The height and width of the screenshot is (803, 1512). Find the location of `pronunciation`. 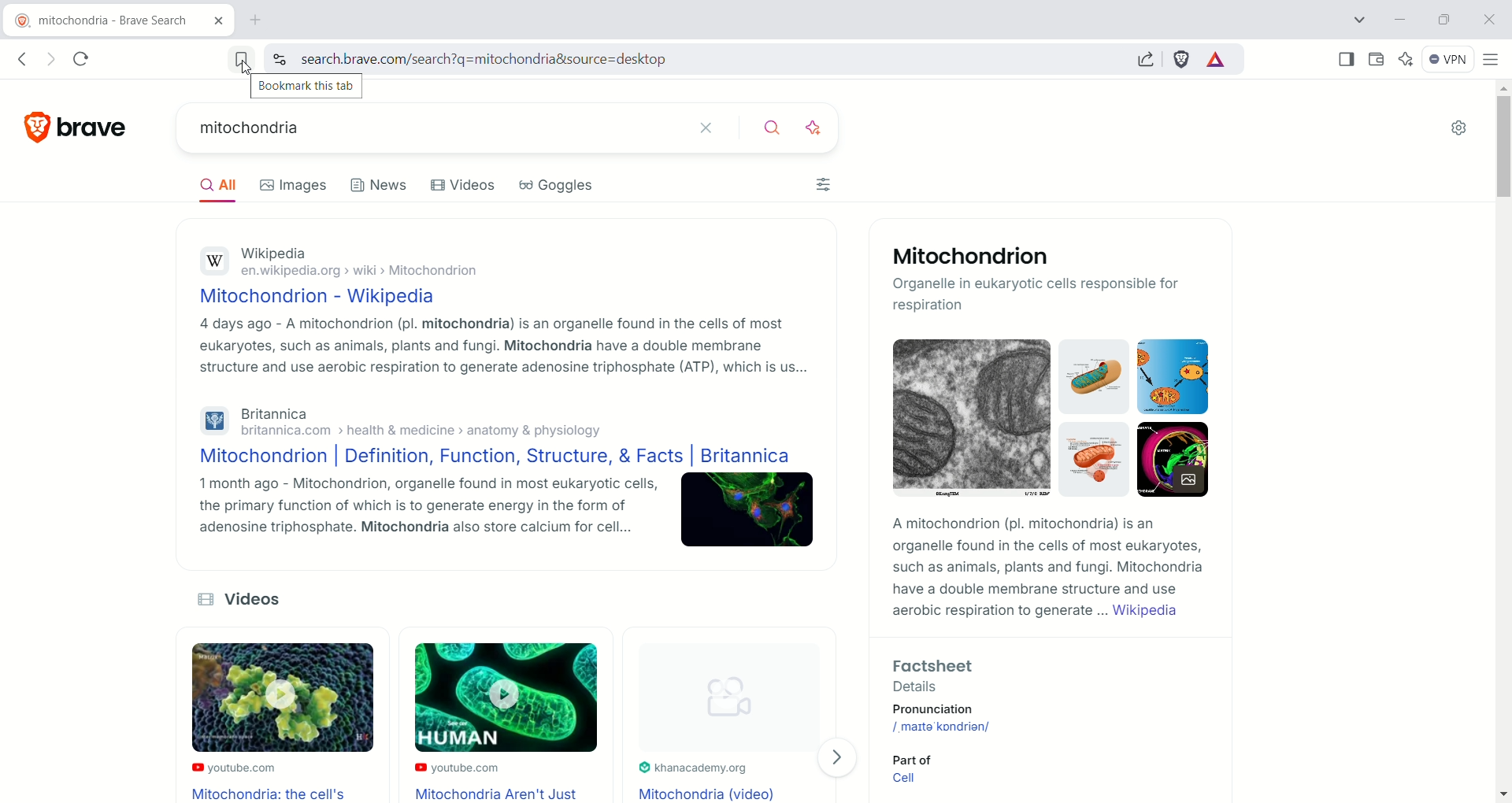

pronunciation is located at coordinates (956, 709).